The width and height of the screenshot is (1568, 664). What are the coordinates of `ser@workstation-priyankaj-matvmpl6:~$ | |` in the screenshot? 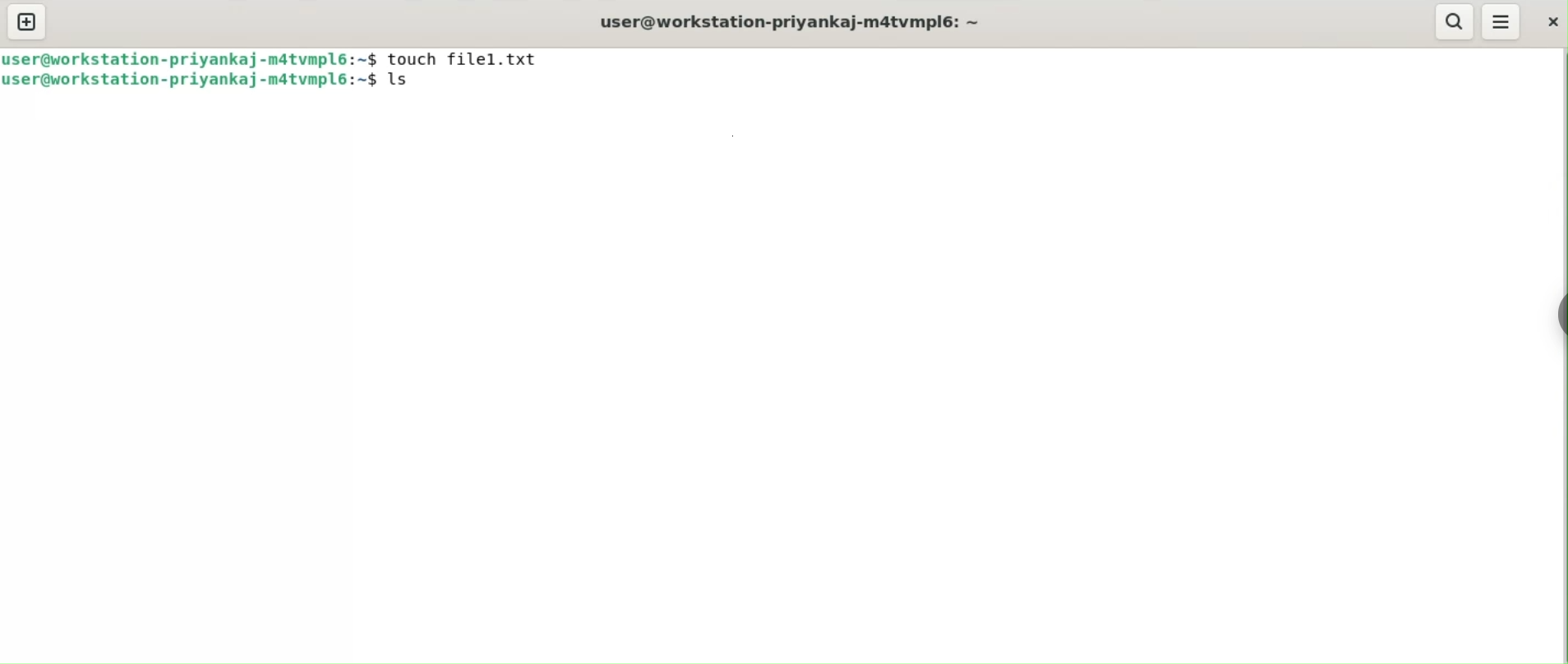 It's located at (192, 80).